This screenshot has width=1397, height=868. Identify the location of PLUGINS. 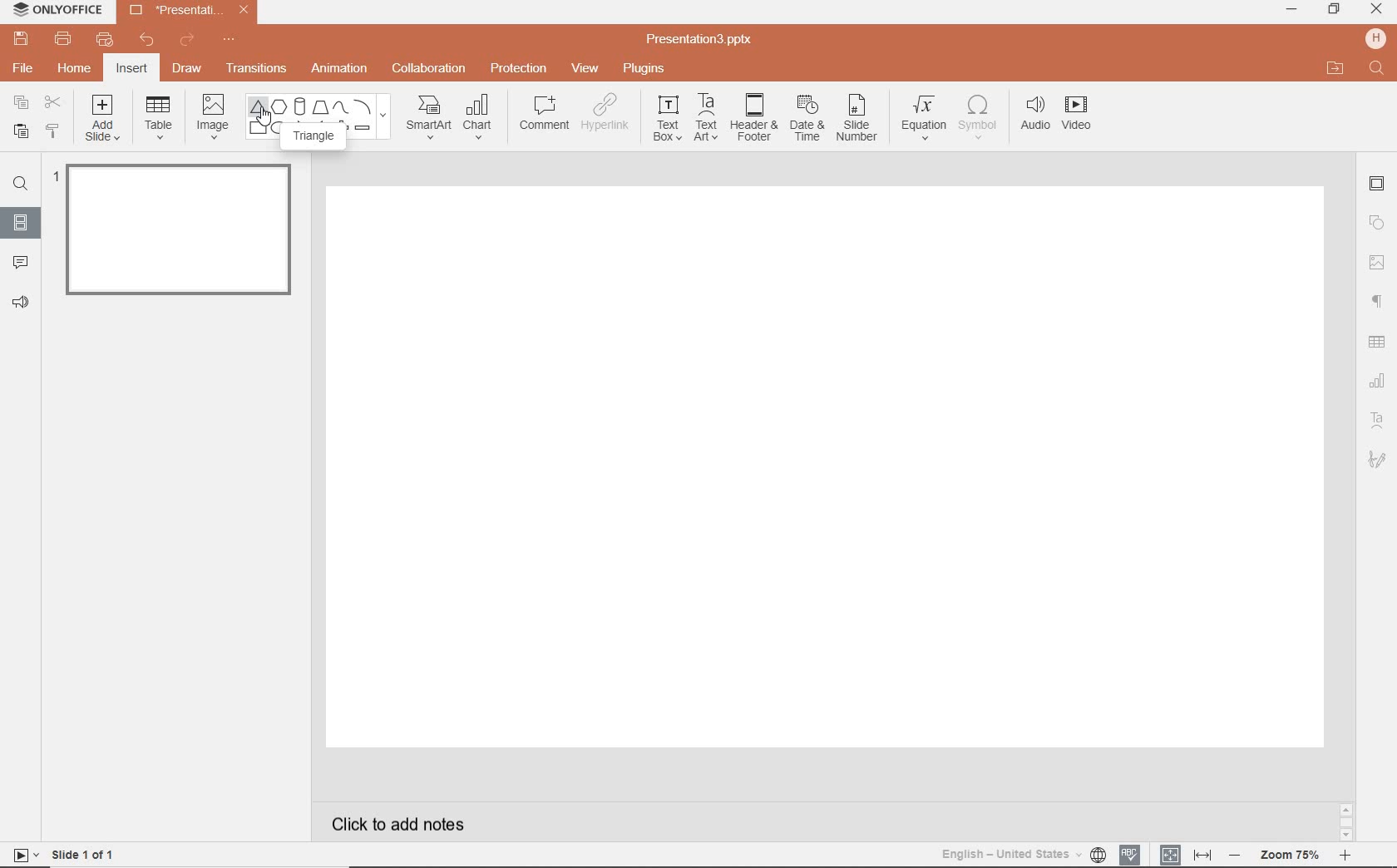
(646, 67).